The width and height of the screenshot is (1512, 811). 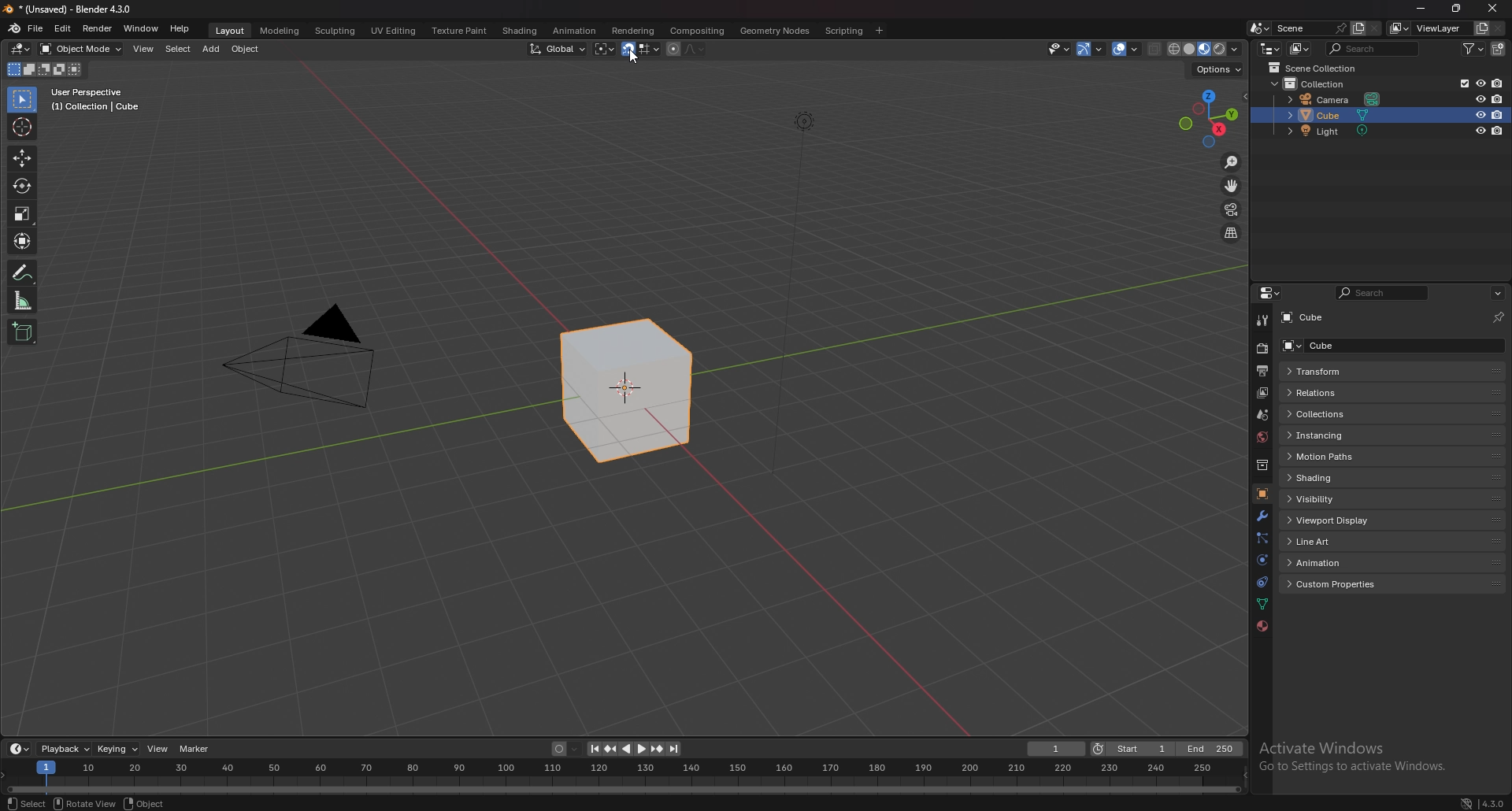 I want to click on disable in renders, so click(x=1498, y=98).